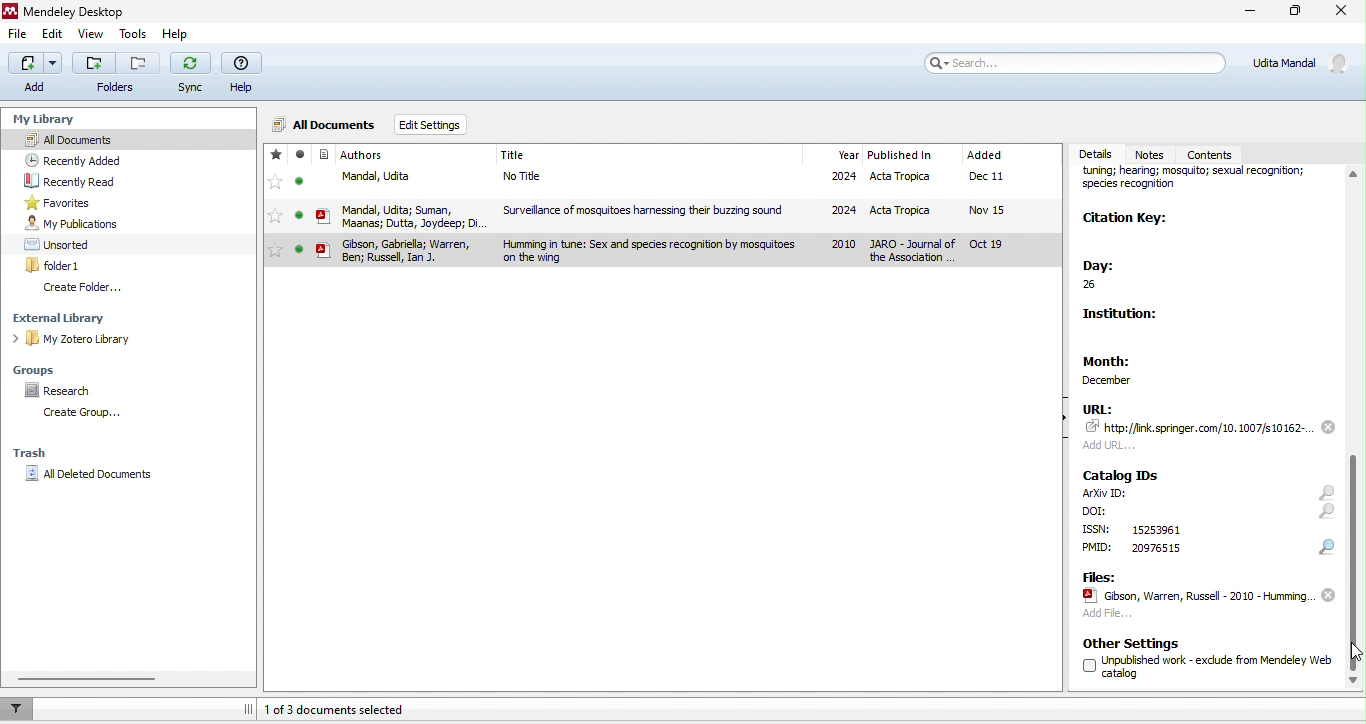 This screenshot has width=1366, height=724. I want to click on catalog ids, so click(1122, 475).